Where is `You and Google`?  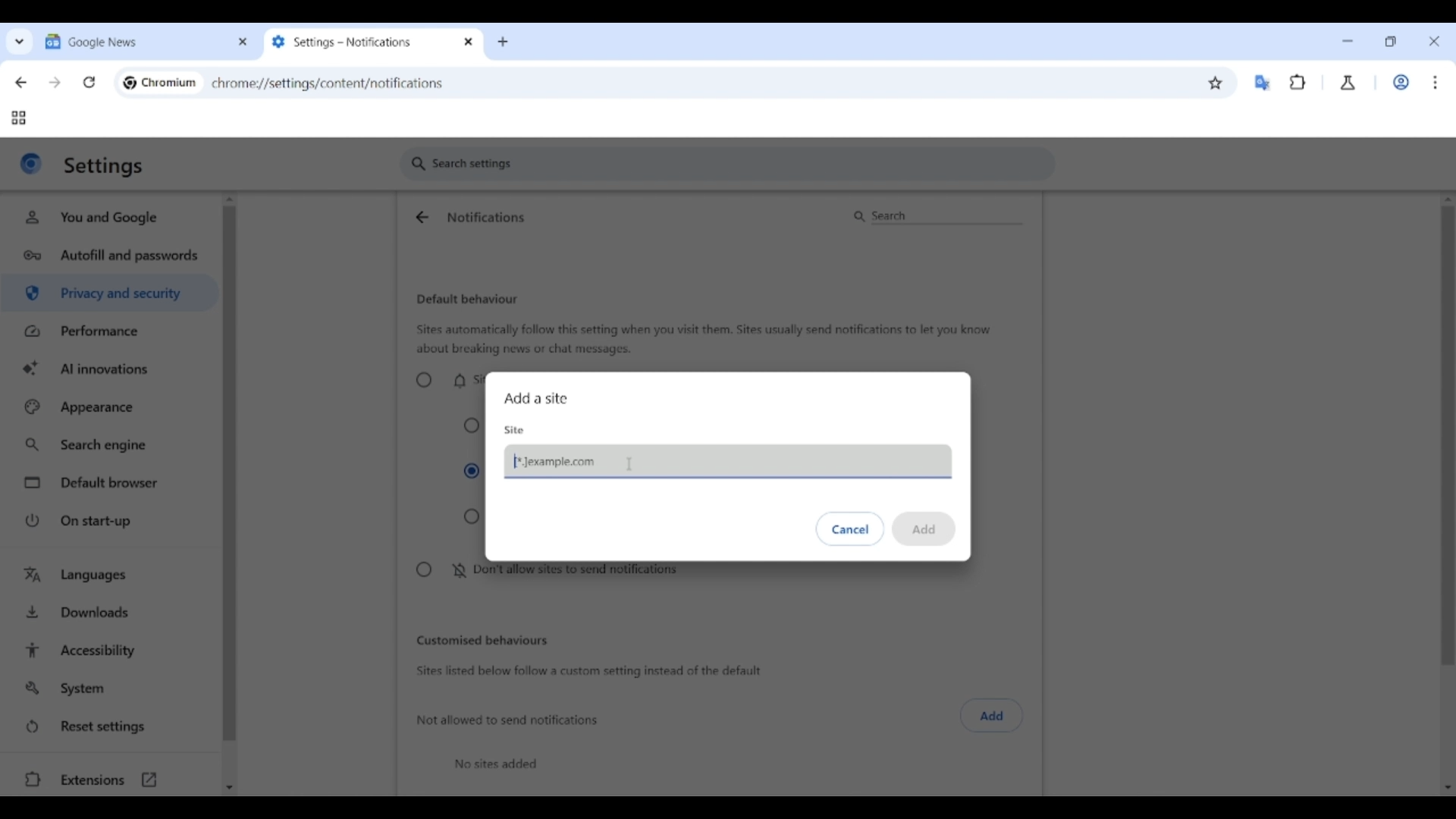 You and Google is located at coordinates (107, 218).